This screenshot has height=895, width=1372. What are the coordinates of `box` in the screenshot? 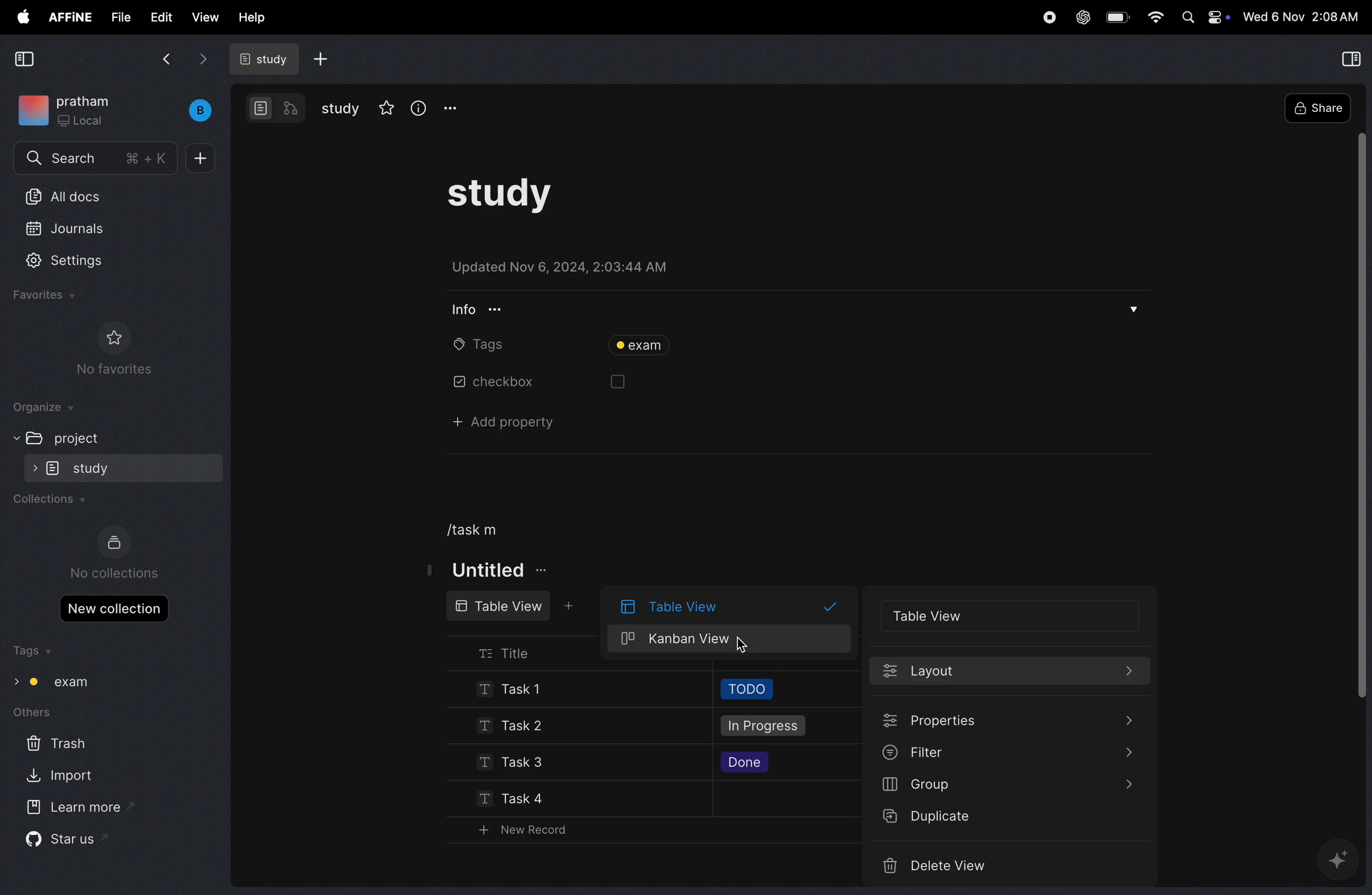 It's located at (613, 382).